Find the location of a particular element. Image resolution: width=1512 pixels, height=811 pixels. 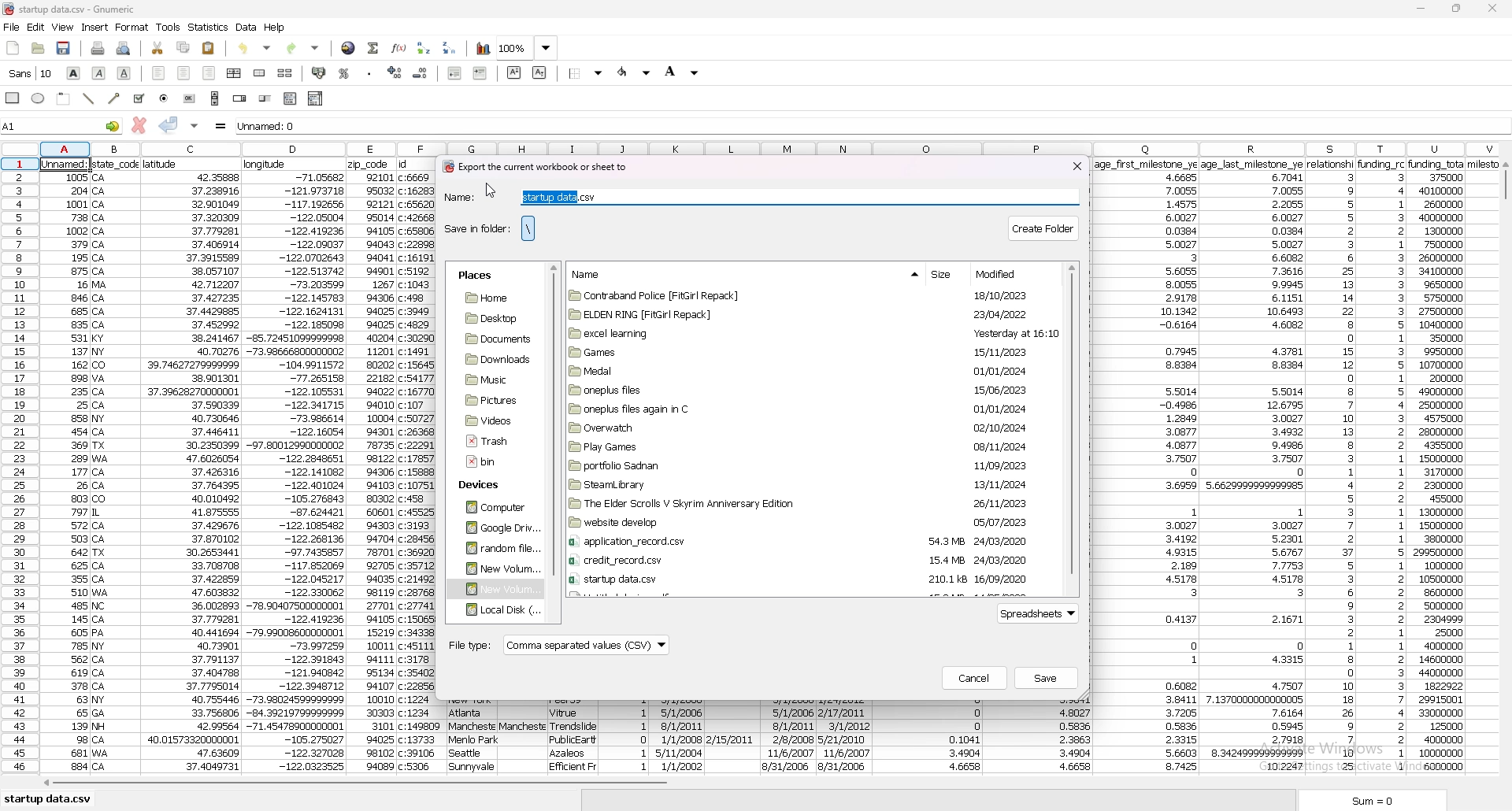

scroll bar is located at coordinates (215, 98).